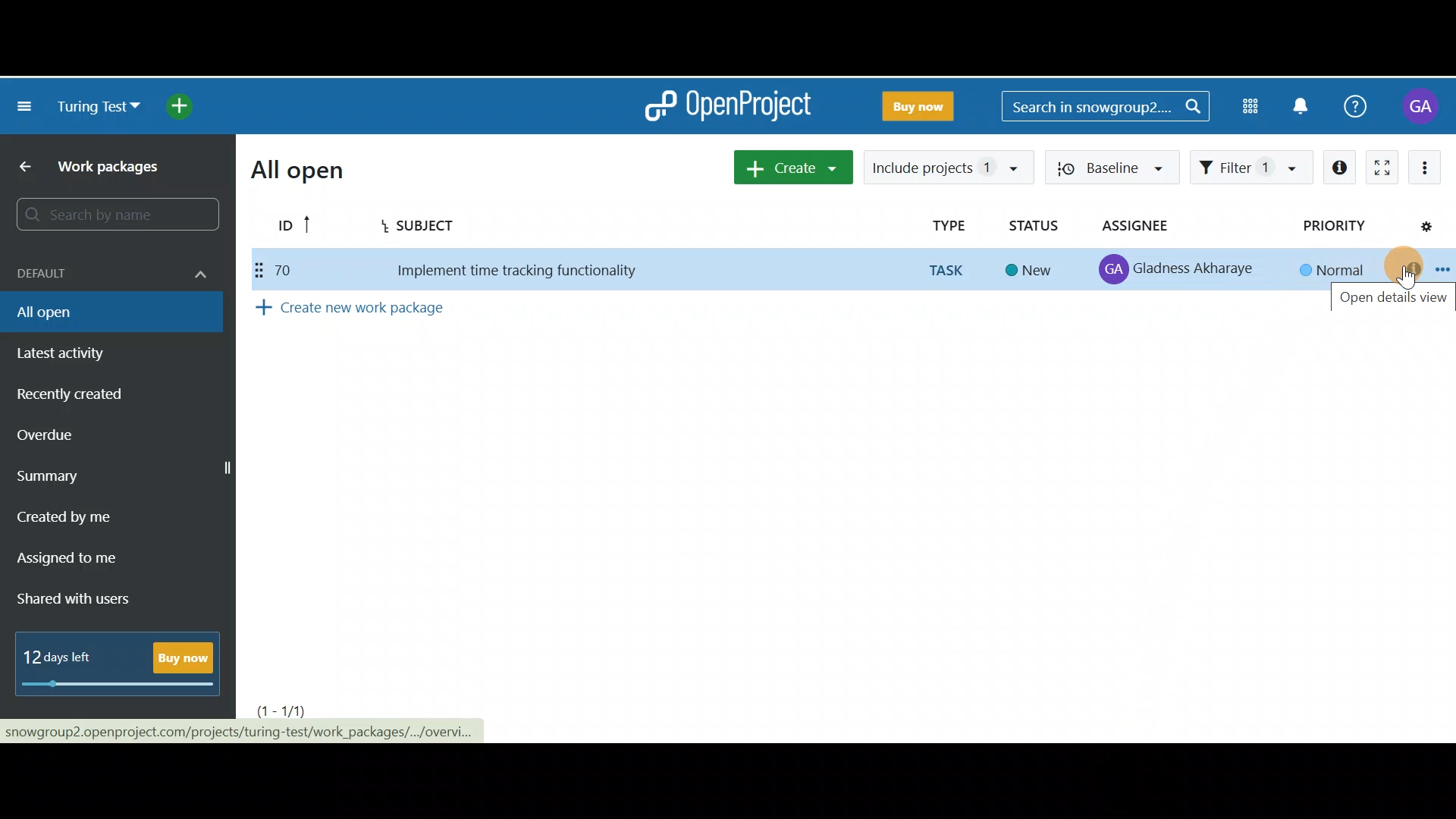 The width and height of the screenshot is (1456, 819). I want to click on Recently created, so click(101, 398).